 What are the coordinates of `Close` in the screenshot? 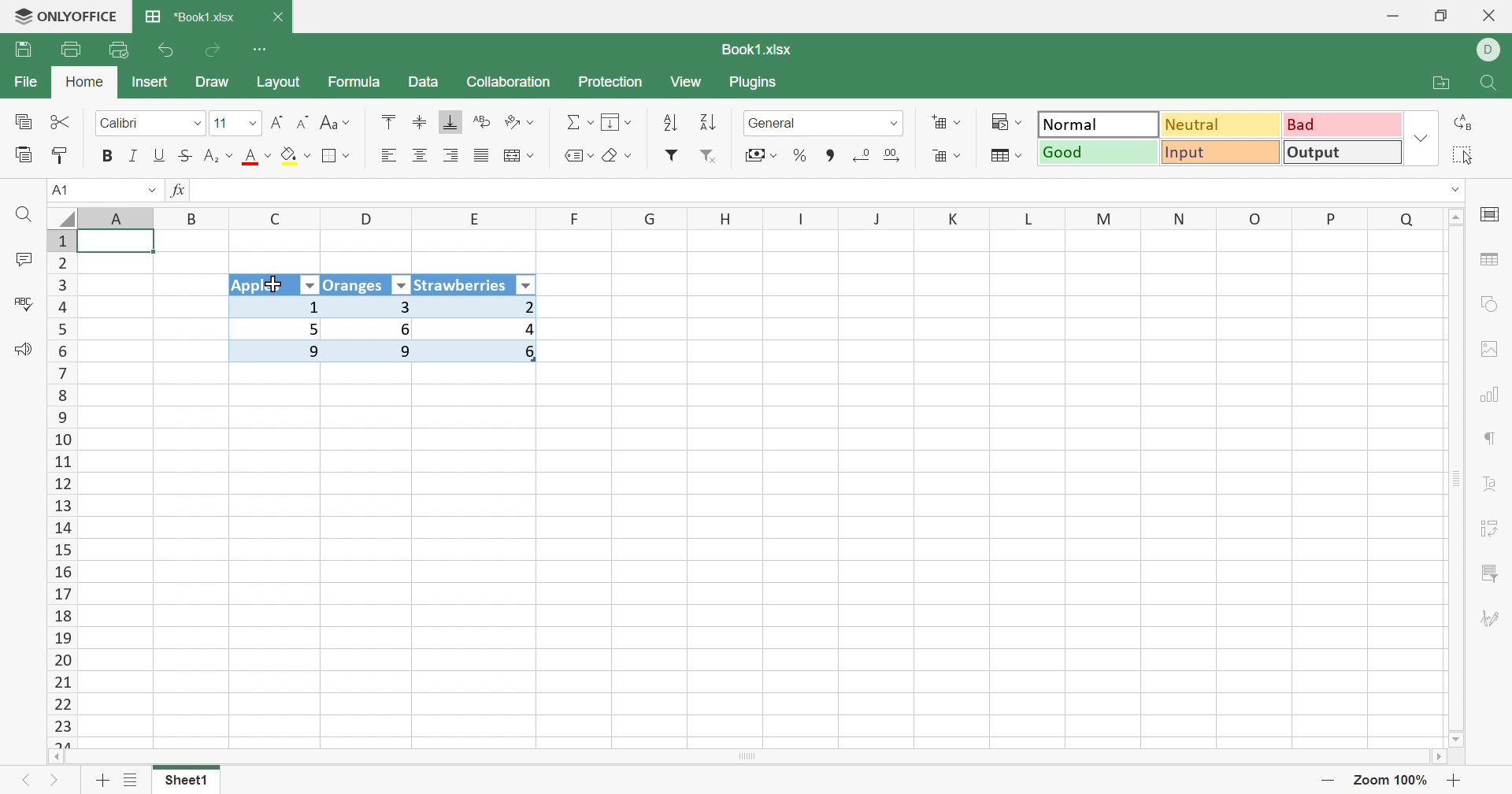 It's located at (280, 17).